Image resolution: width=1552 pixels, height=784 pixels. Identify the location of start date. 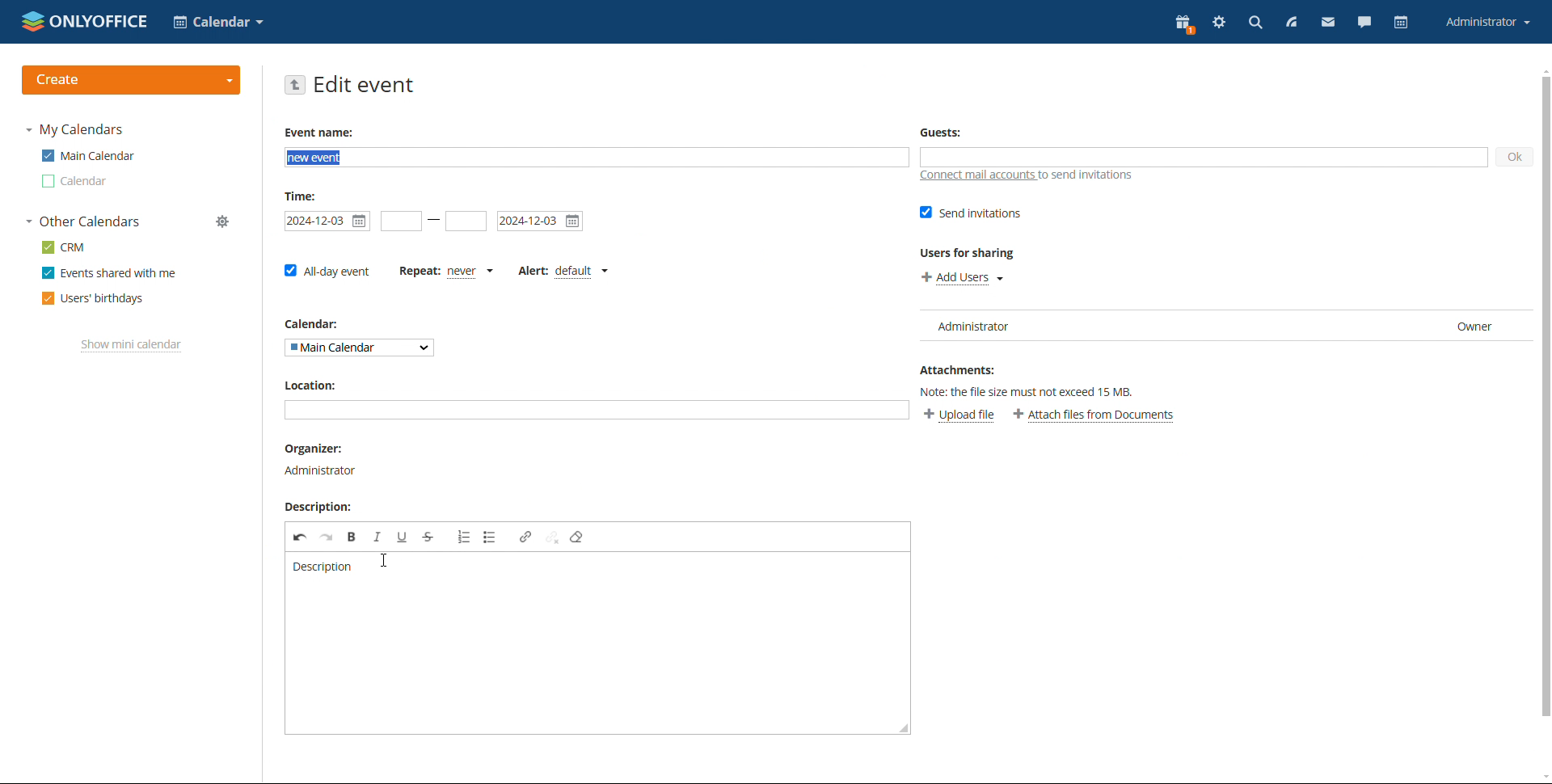
(402, 221).